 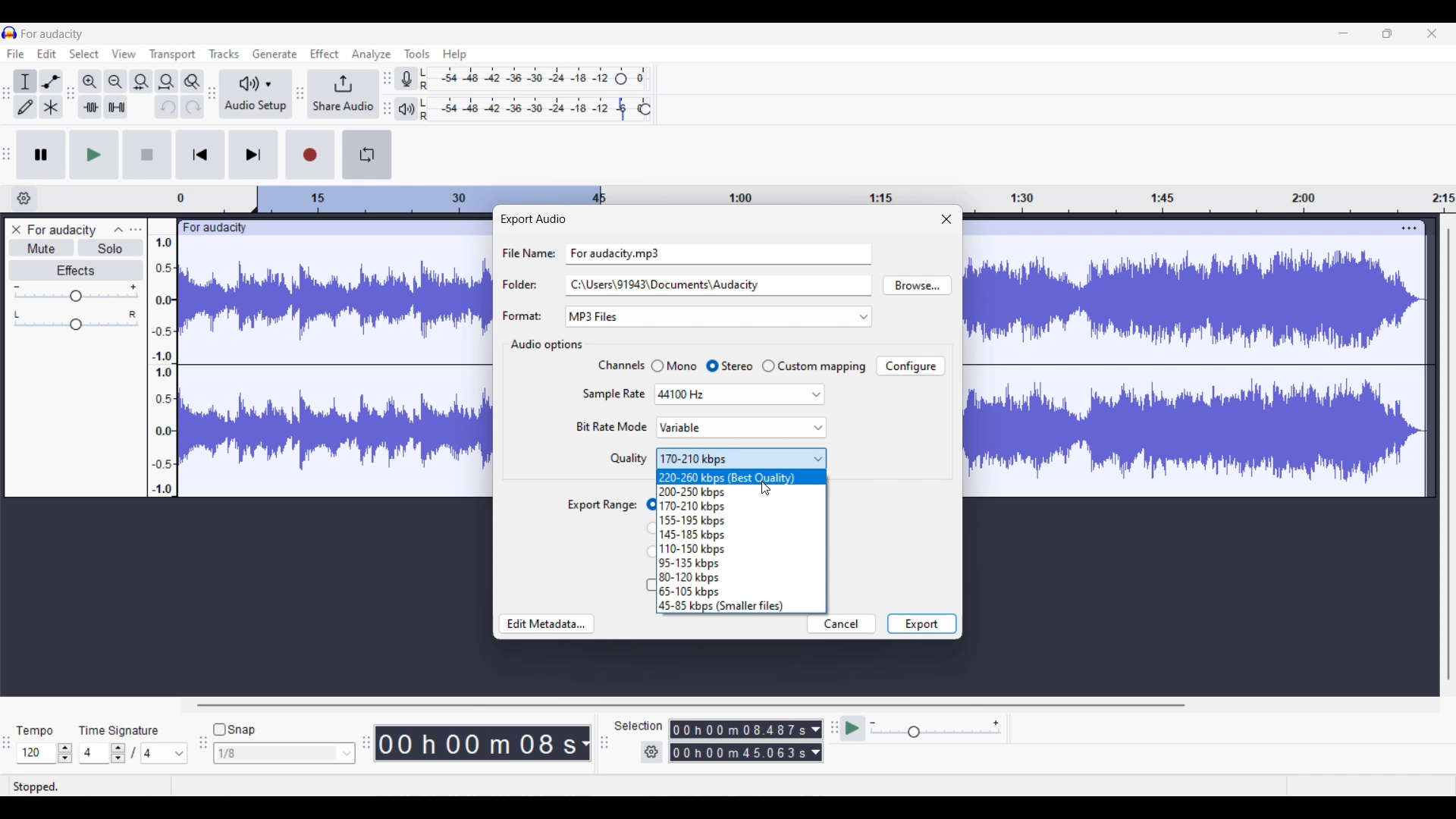 What do you see at coordinates (343, 94) in the screenshot?
I see `Share audio` at bounding box center [343, 94].